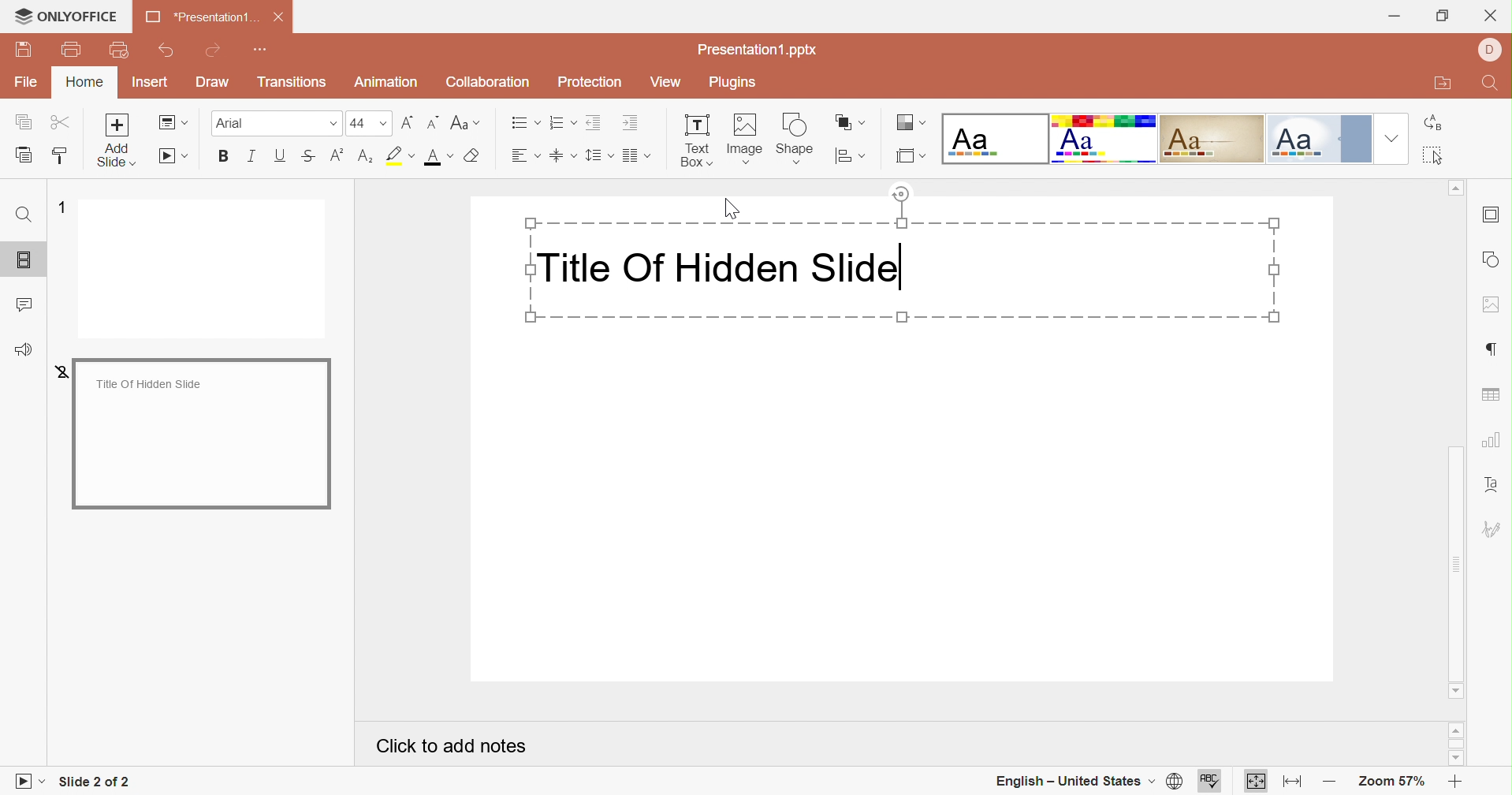  I want to click on Scroll down, so click(1455, 757).